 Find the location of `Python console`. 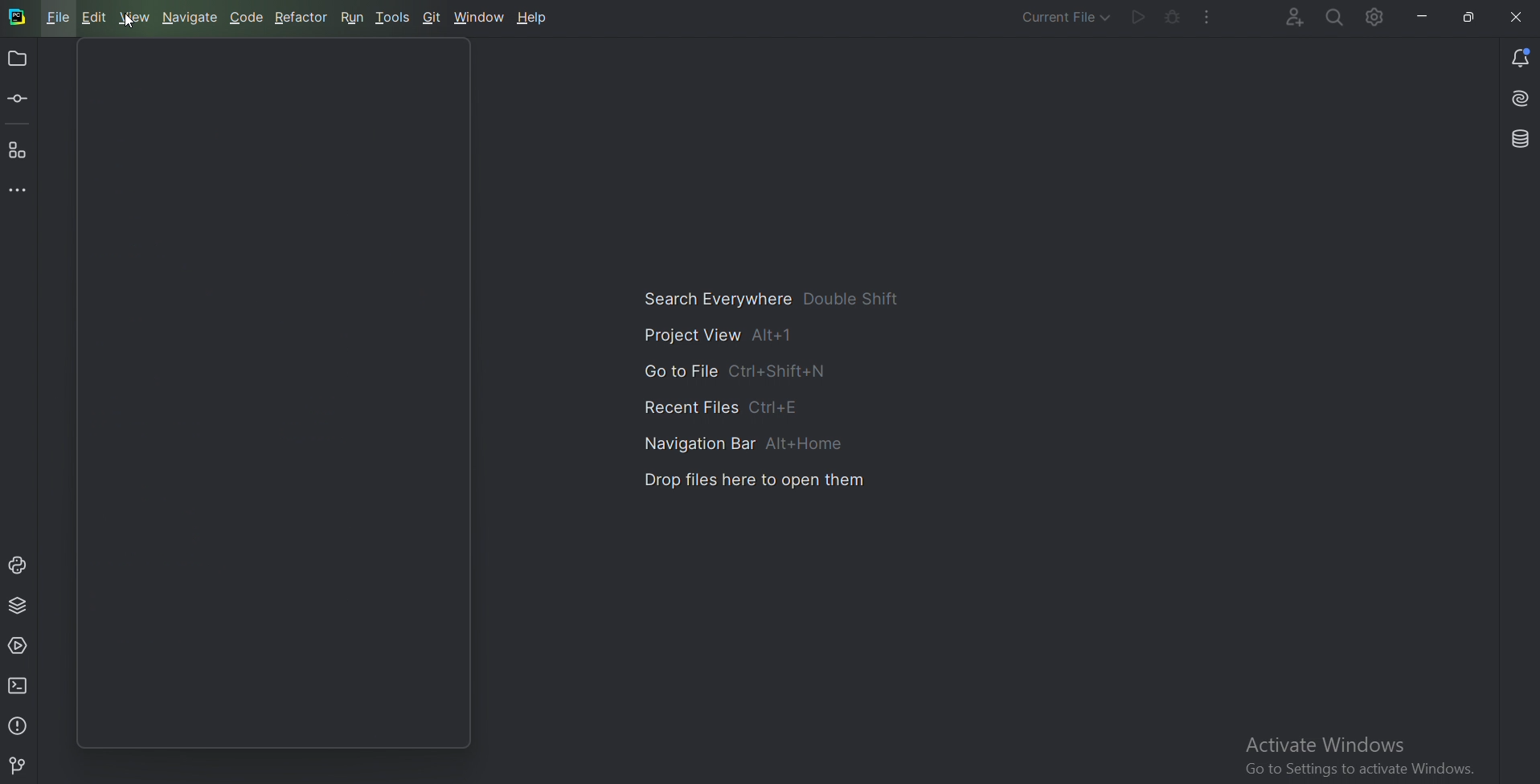

Python console is located at coordinates (20, 565).